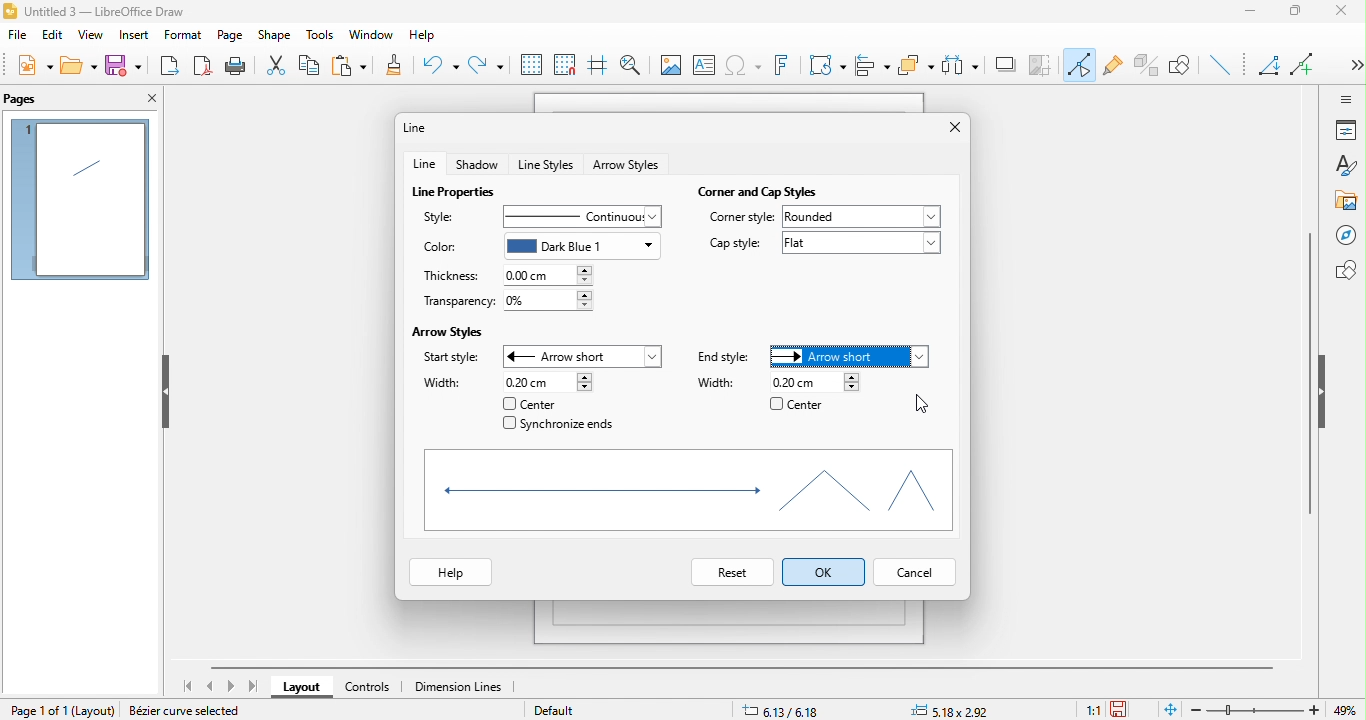 This screenshot has width=1366, height=720. Describe the element at coordinates (181, 35) in the screenshot. I see `format` at that location.